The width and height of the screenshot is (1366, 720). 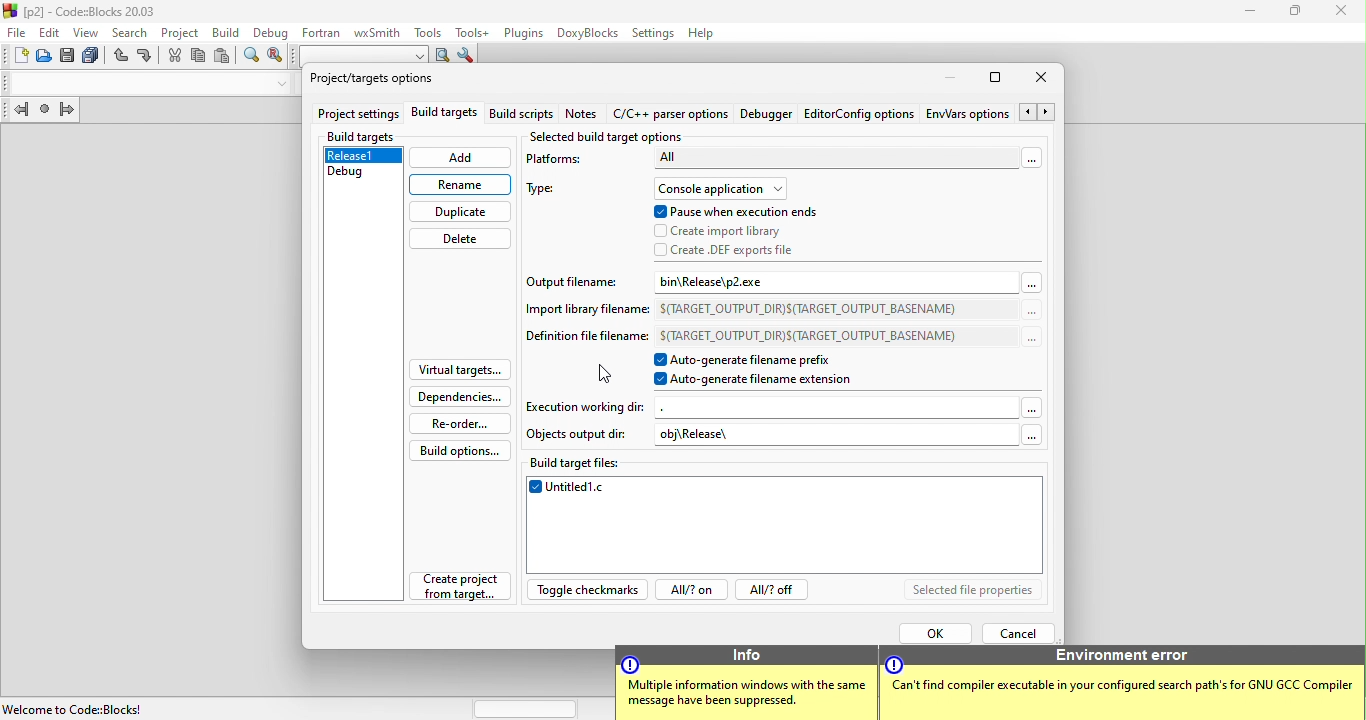 What do you see at coordinates (15, 58) in the screenshot?
I see `new` at bounding box center [15, 58].